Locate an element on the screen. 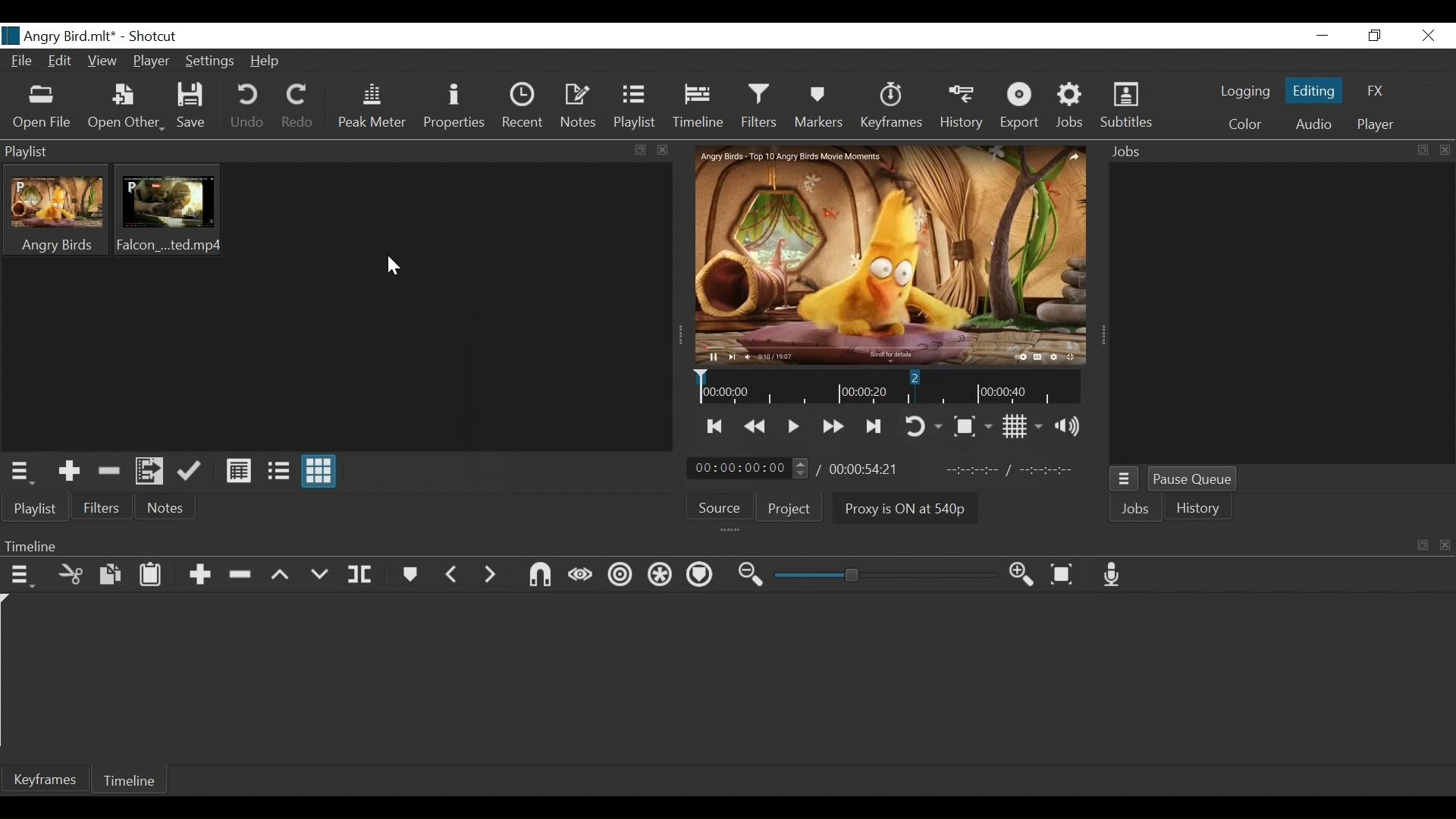 The image size is (1456, 819). Record audio is located at coordinates (1113, 573).